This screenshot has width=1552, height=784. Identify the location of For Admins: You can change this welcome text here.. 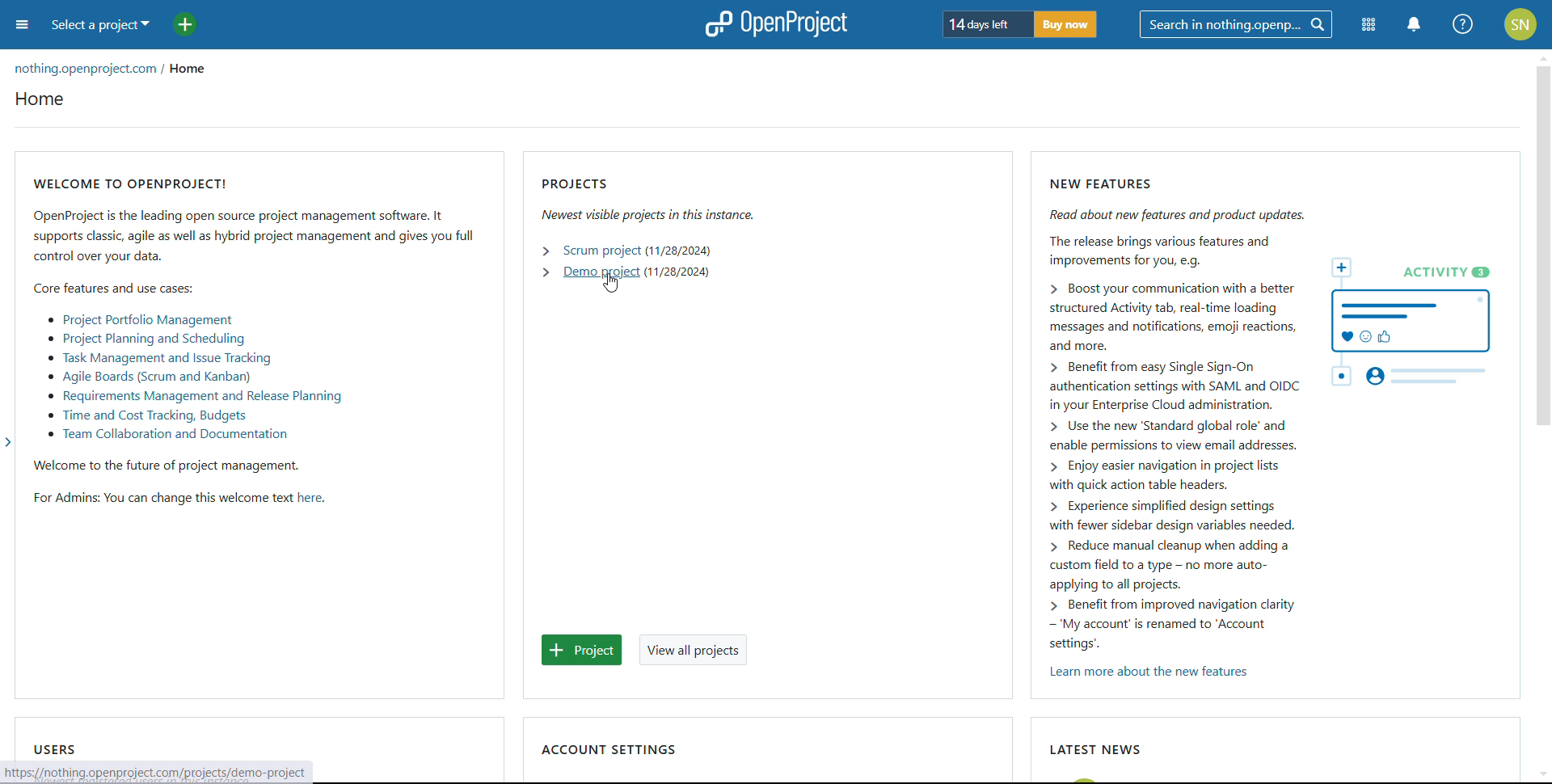
(212, 502).